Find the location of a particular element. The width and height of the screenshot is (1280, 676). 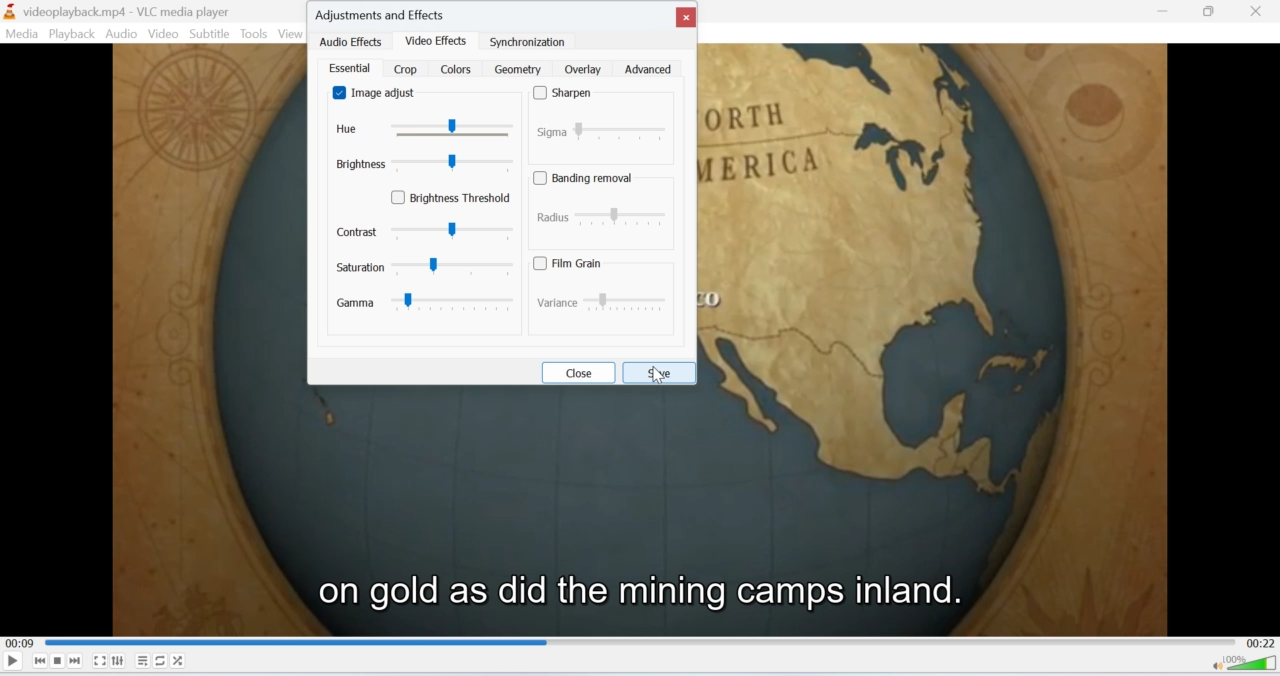

geometry is located at coordinates (518, 68).